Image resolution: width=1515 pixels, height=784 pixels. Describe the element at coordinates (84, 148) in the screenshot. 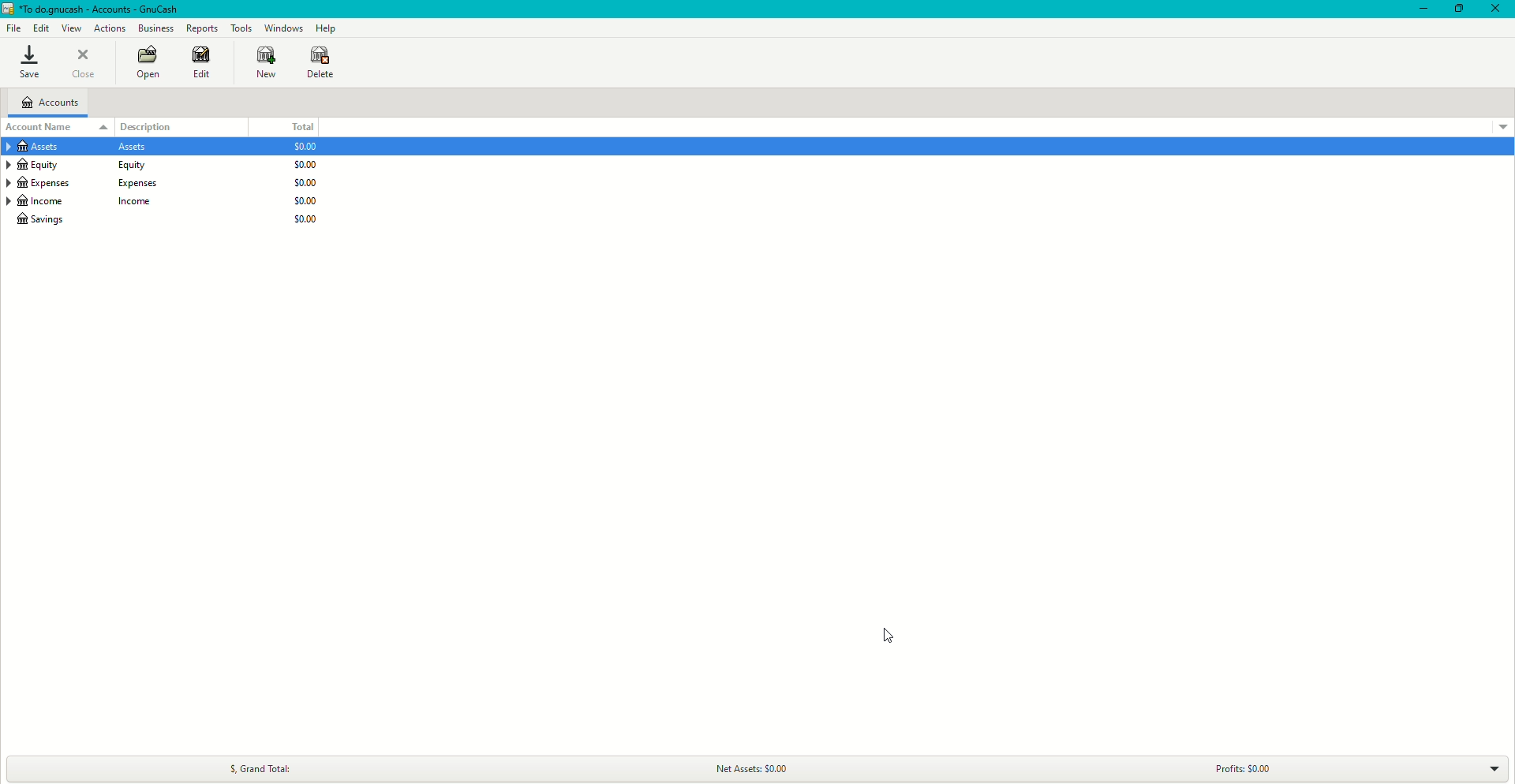

I see `Assets` at that location.